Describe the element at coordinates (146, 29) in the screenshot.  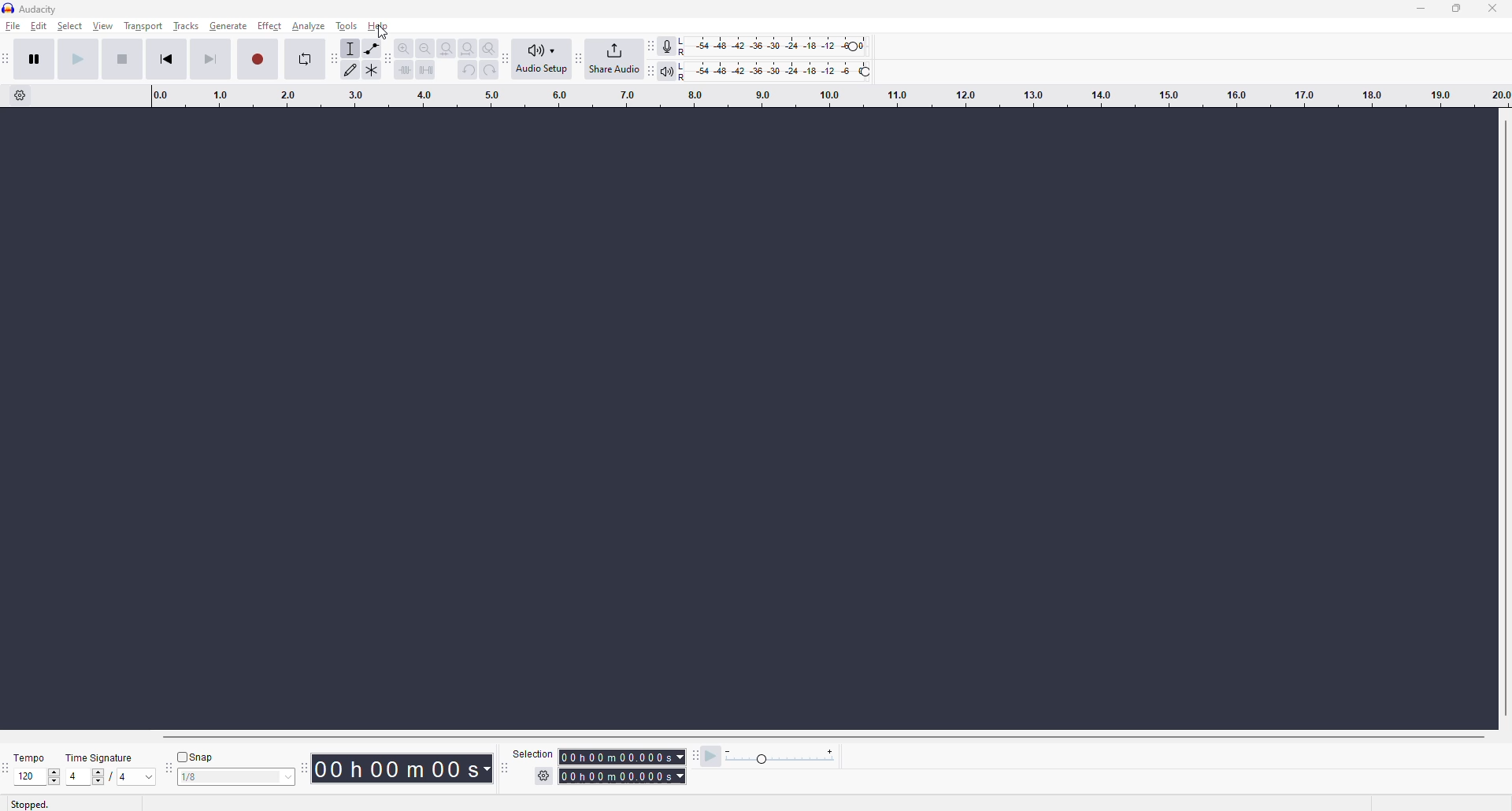
I see `transport` at that location.